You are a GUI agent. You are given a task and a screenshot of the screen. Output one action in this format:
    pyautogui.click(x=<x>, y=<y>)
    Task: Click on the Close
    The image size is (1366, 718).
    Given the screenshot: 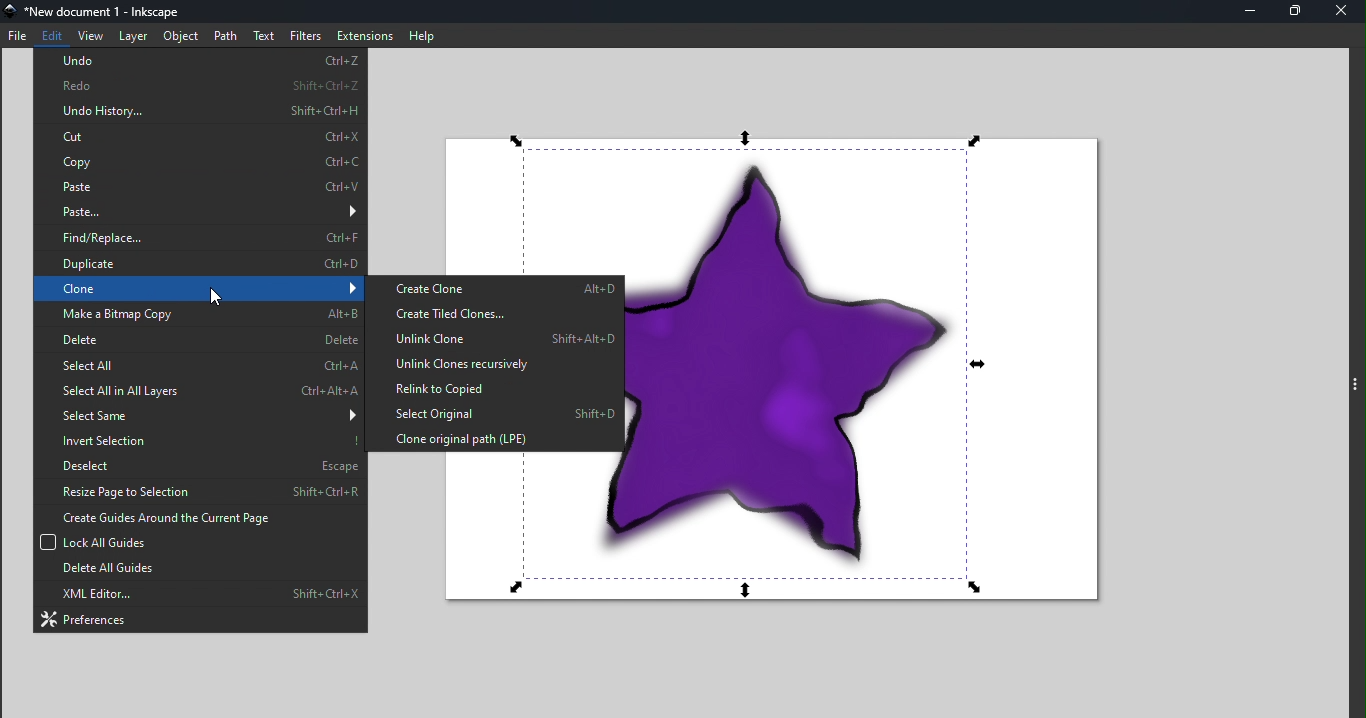 What is the action you would take?
    pyautogui.click(x=1344, y=11)
    